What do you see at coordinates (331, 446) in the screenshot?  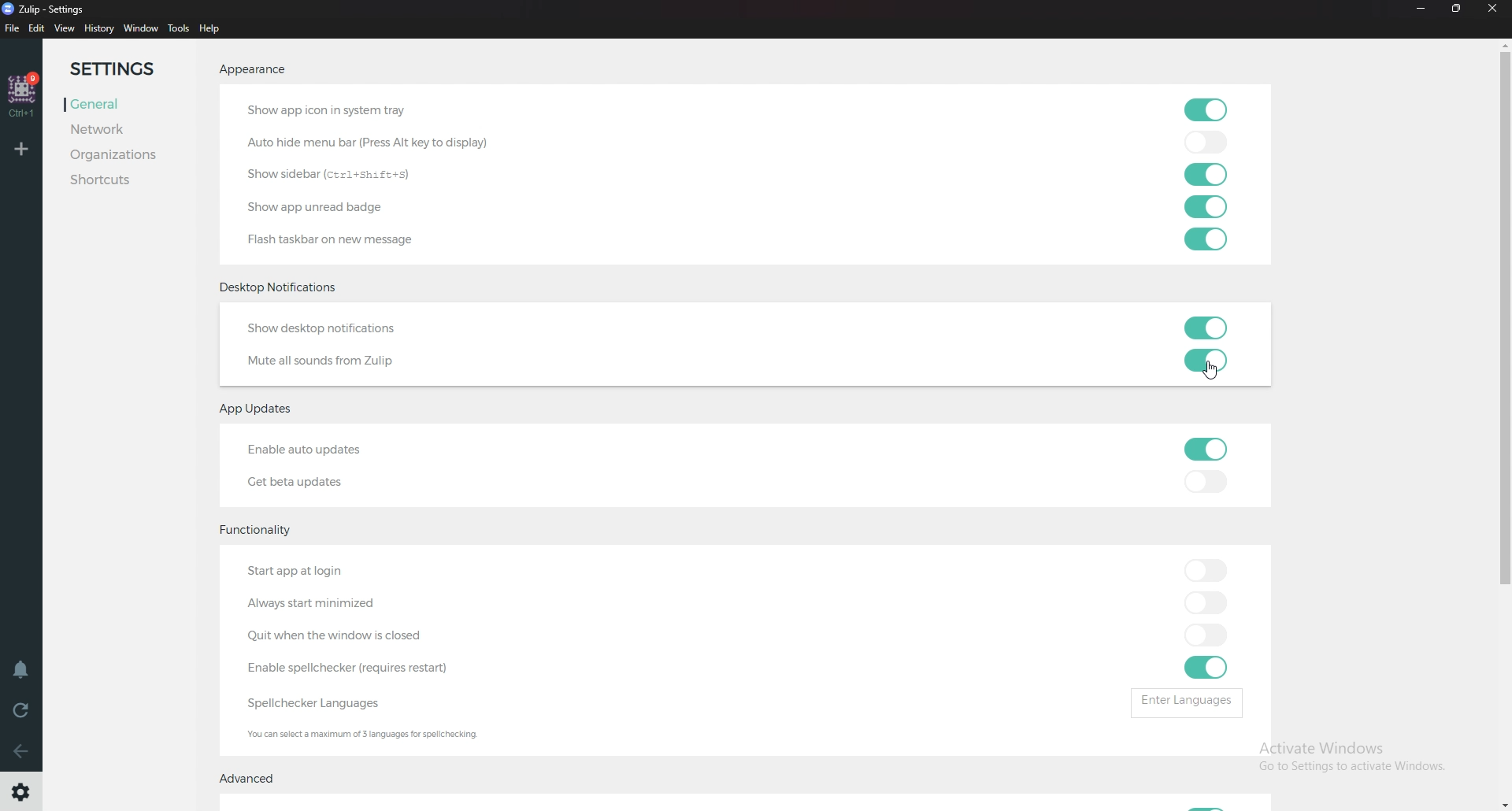 I see `enable auto updates` at bounding box center [331, 446].